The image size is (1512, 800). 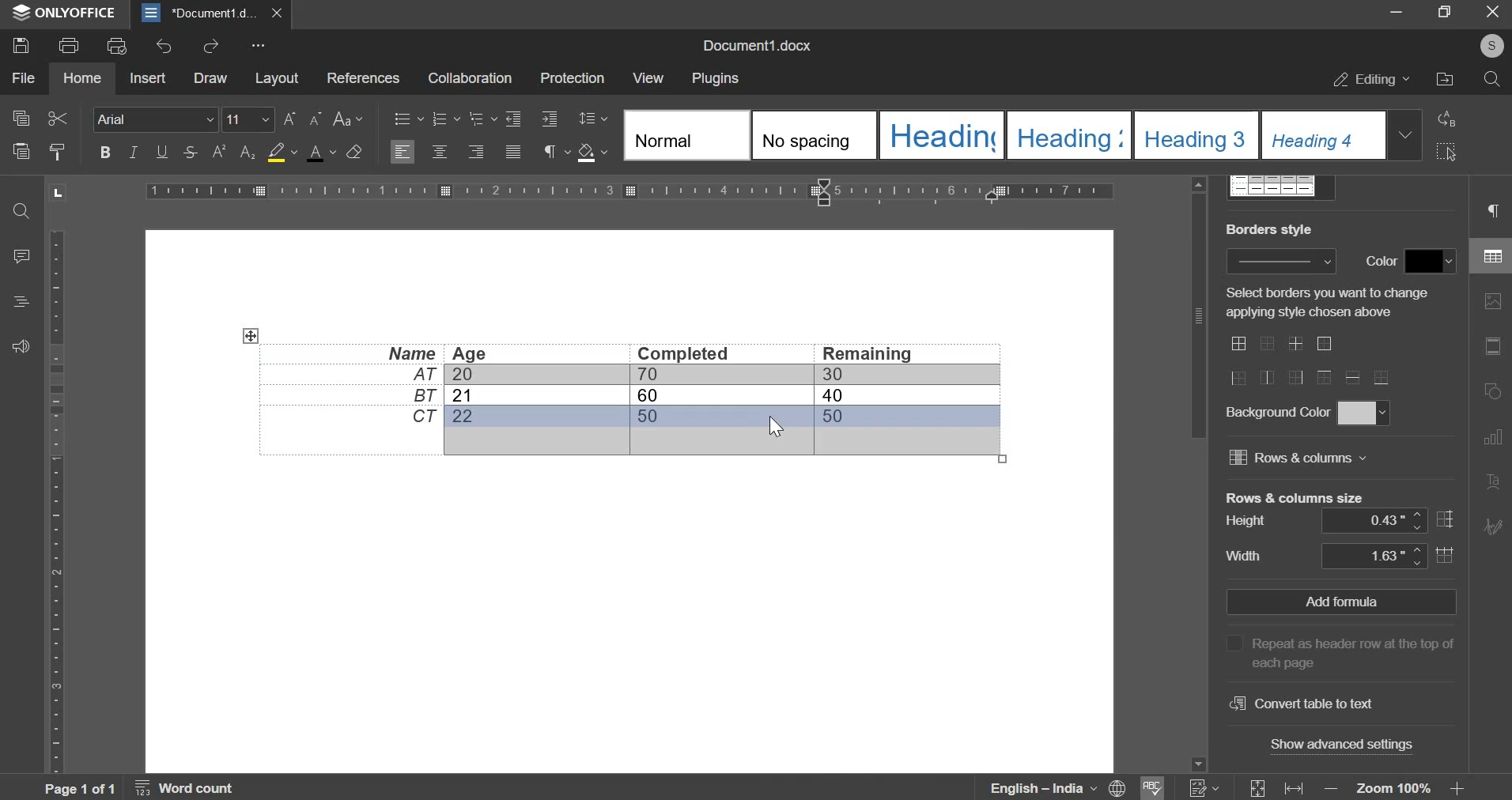 I want to click on language, so click(x=1050, y=788).